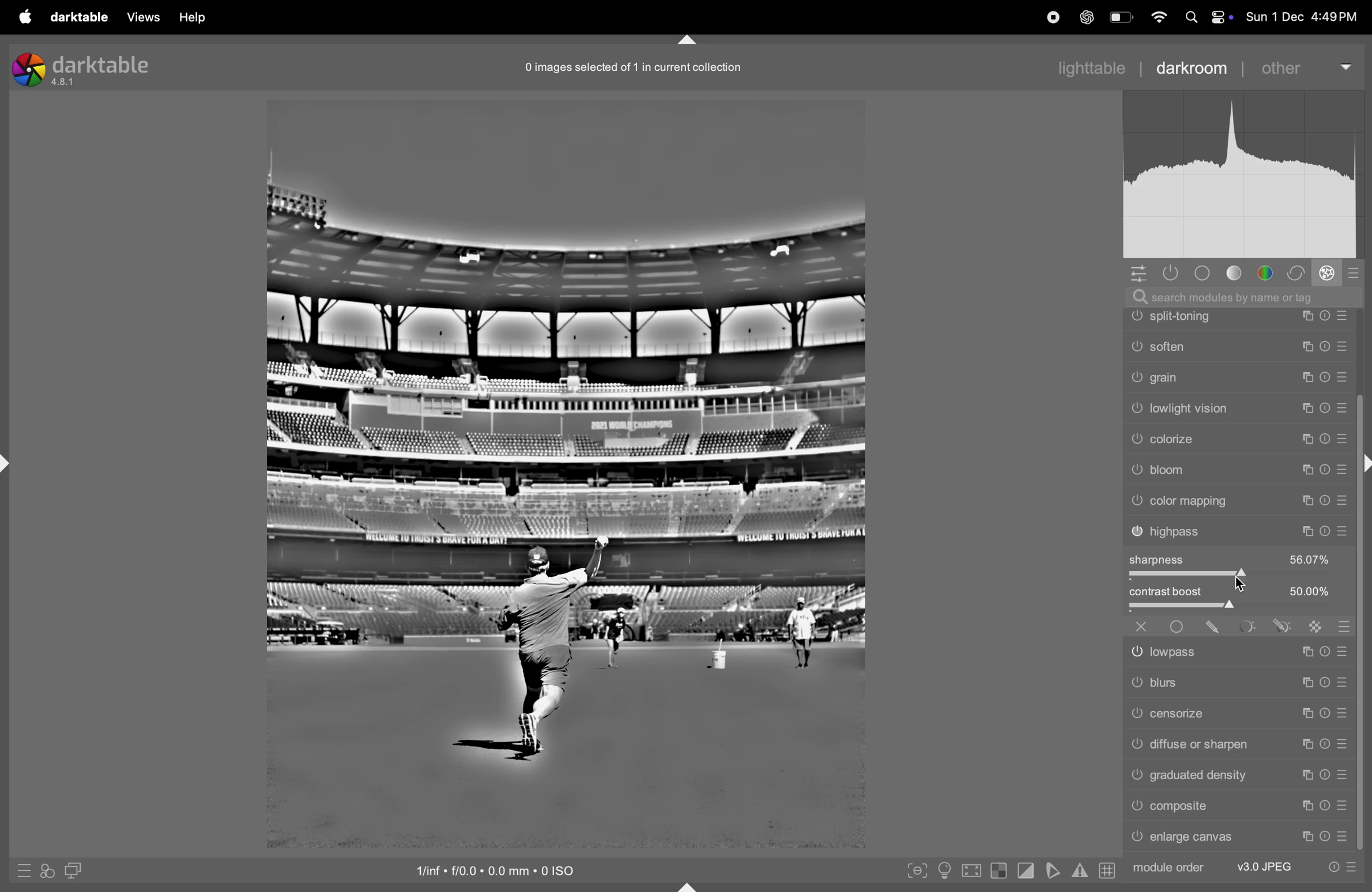 This screenshot has width=1372, height=892. I want to click on darkroom, so click(1189, 66).